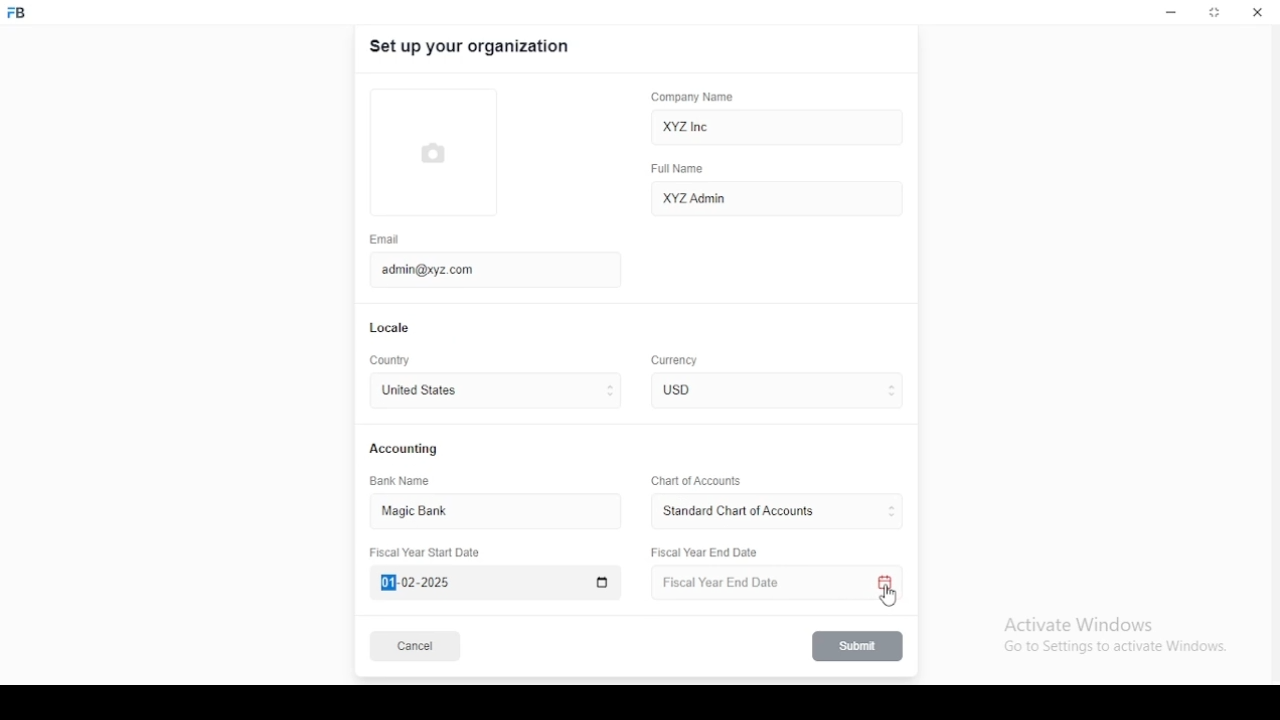 This screenshot has width=1280, height=720. Describe the element at coordinates (401, 481) in the screenshot. I see `bank name` at that location.